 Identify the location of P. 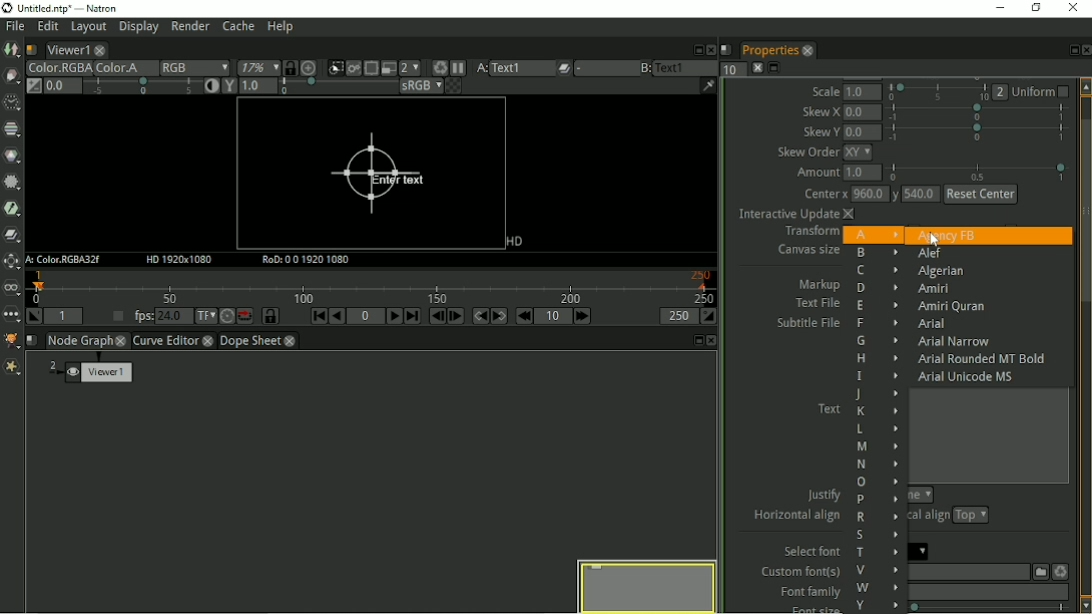
(878, 500).